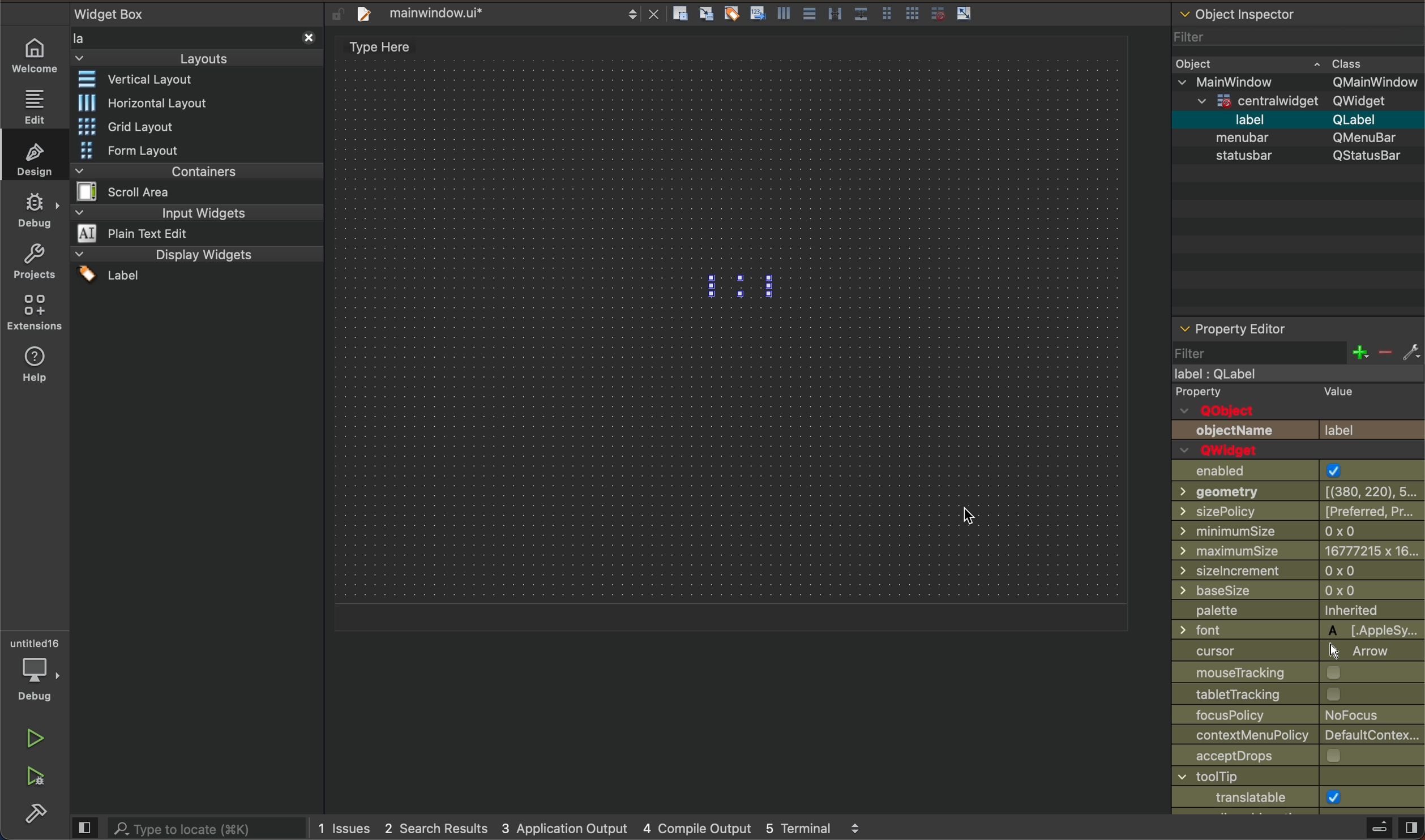  What do you see at coordinates (34, 105) in the screenshot?
I see `edit` at bounding box center [34, 105].